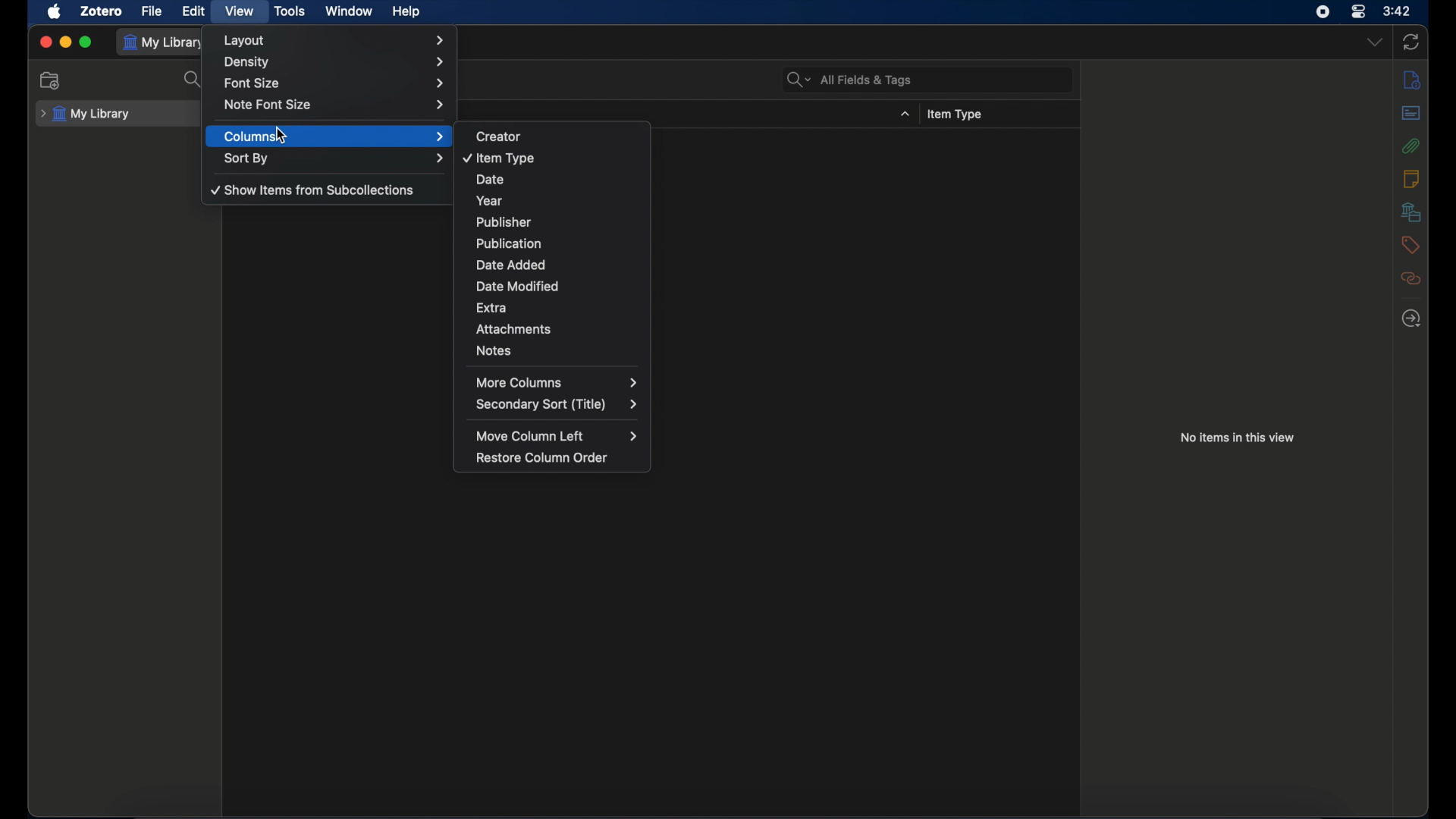 The width and height of the screenshot is (1456, 819). What do you see at coordinates (1410, 278) in the screenshot?
I see `related` at bounding box center [1410, 278].